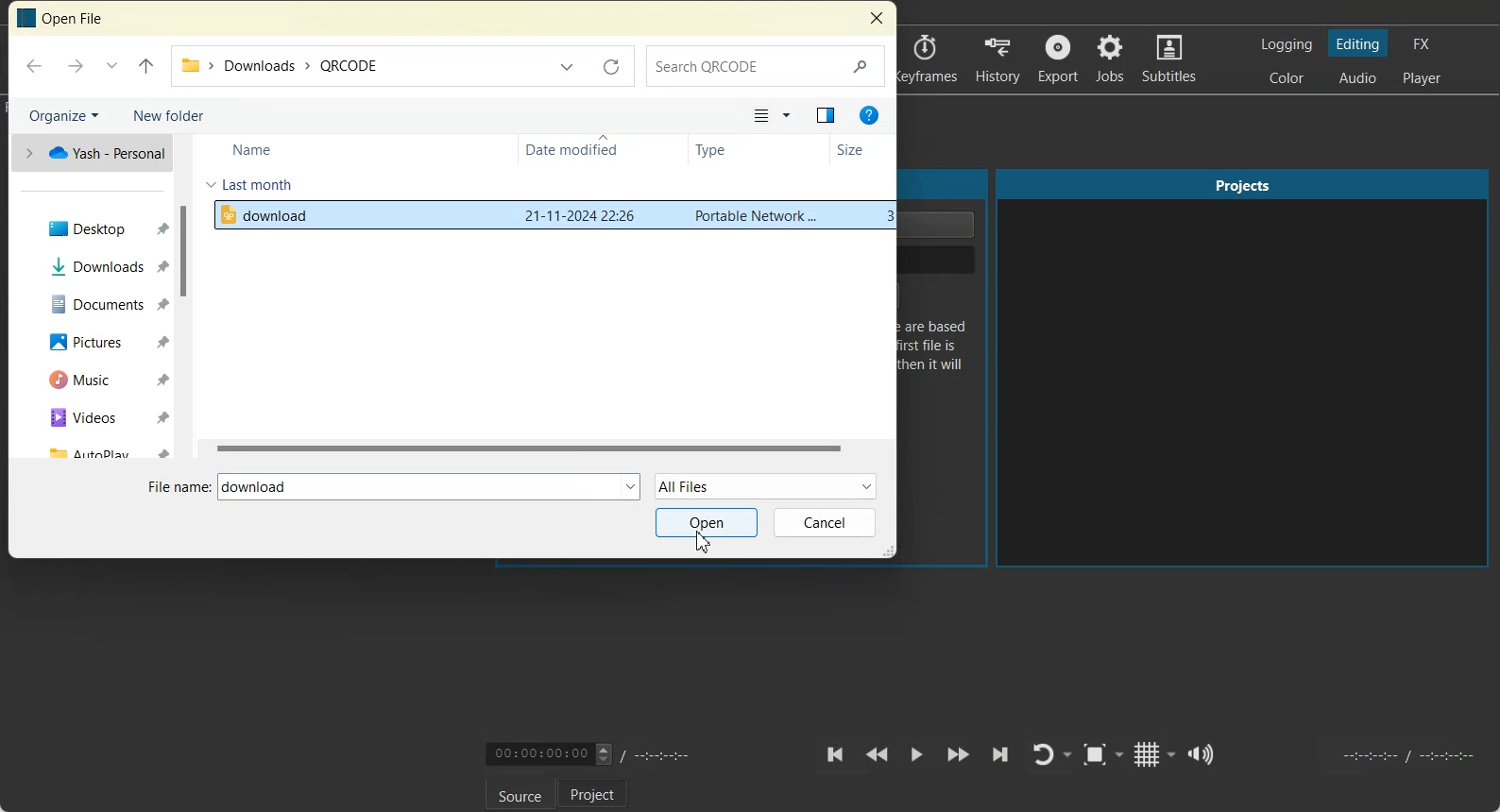 The width and height of the screenshot is (1500, 812). What do you see at coordinates (256, 147) in the screenshot?
I see `Name` at bounding box center [256, 147].